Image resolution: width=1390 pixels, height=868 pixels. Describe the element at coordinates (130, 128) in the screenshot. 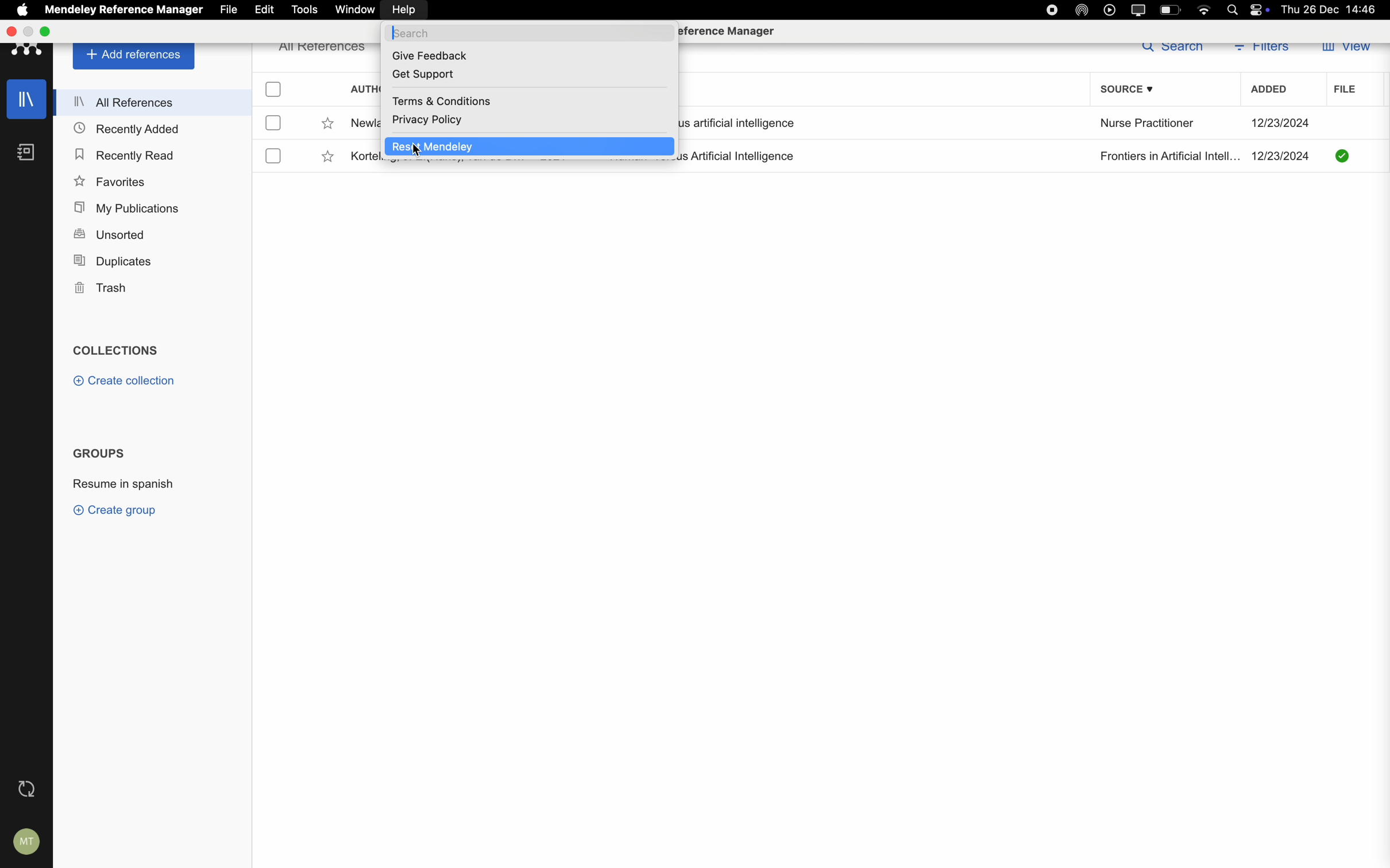

I see `recently added` at that location.